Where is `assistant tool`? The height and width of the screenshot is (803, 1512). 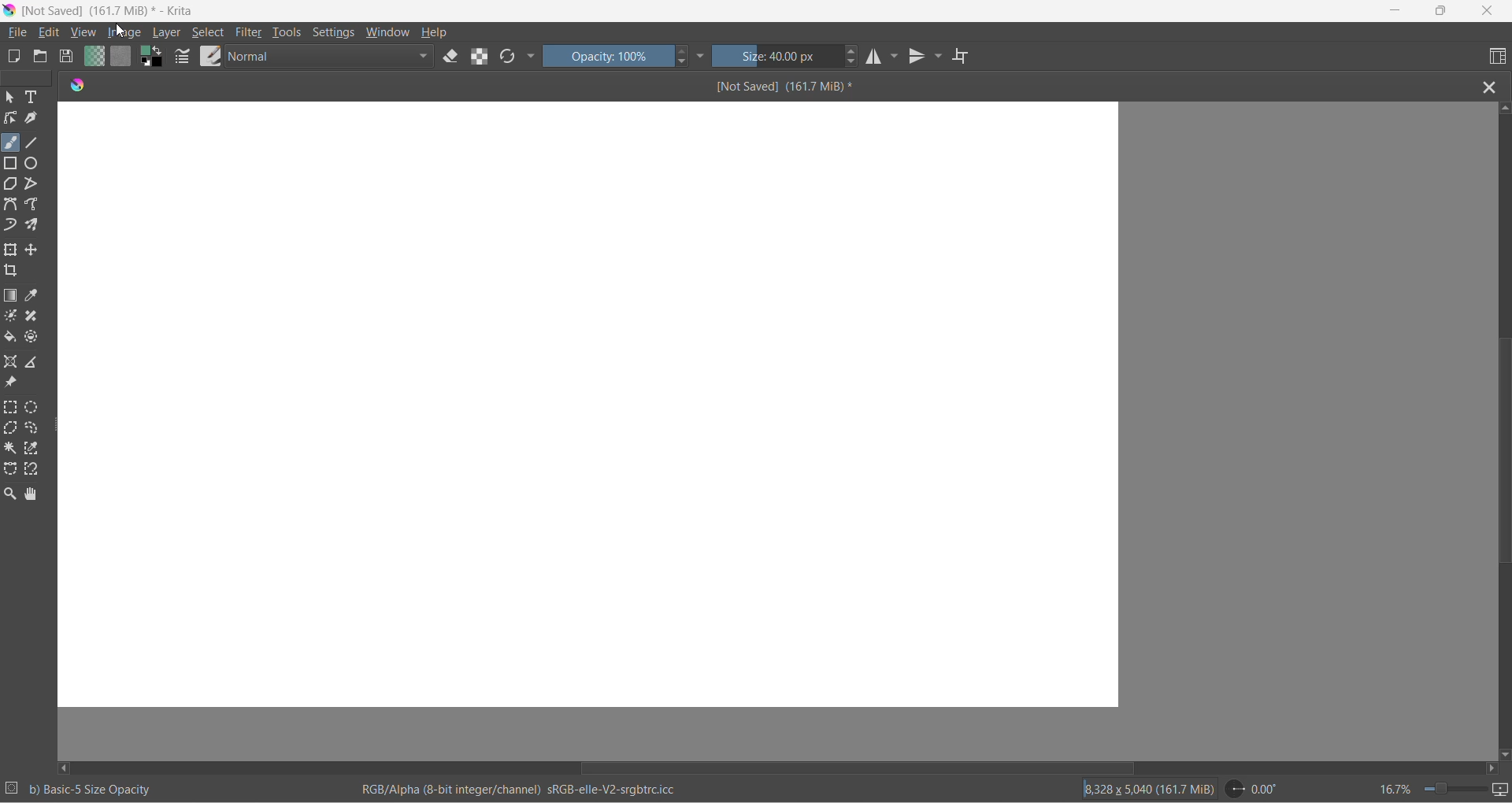 assistant tool is located at coordinates (13, 363).